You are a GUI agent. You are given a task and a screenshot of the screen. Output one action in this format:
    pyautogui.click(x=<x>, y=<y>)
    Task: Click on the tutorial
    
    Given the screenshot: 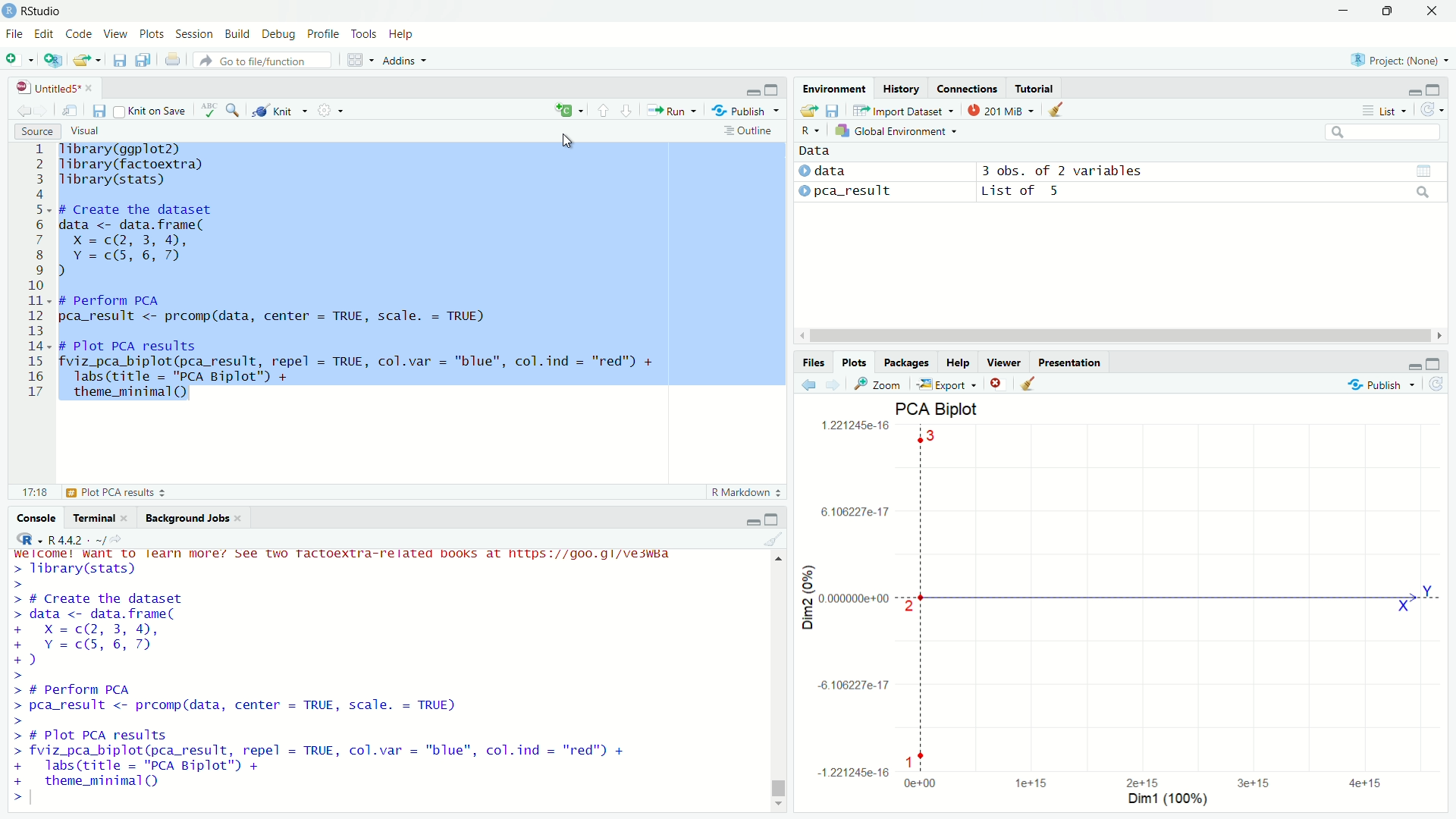 What is the action you would take?
    pyautogui.click(x=1034, y=88)
    